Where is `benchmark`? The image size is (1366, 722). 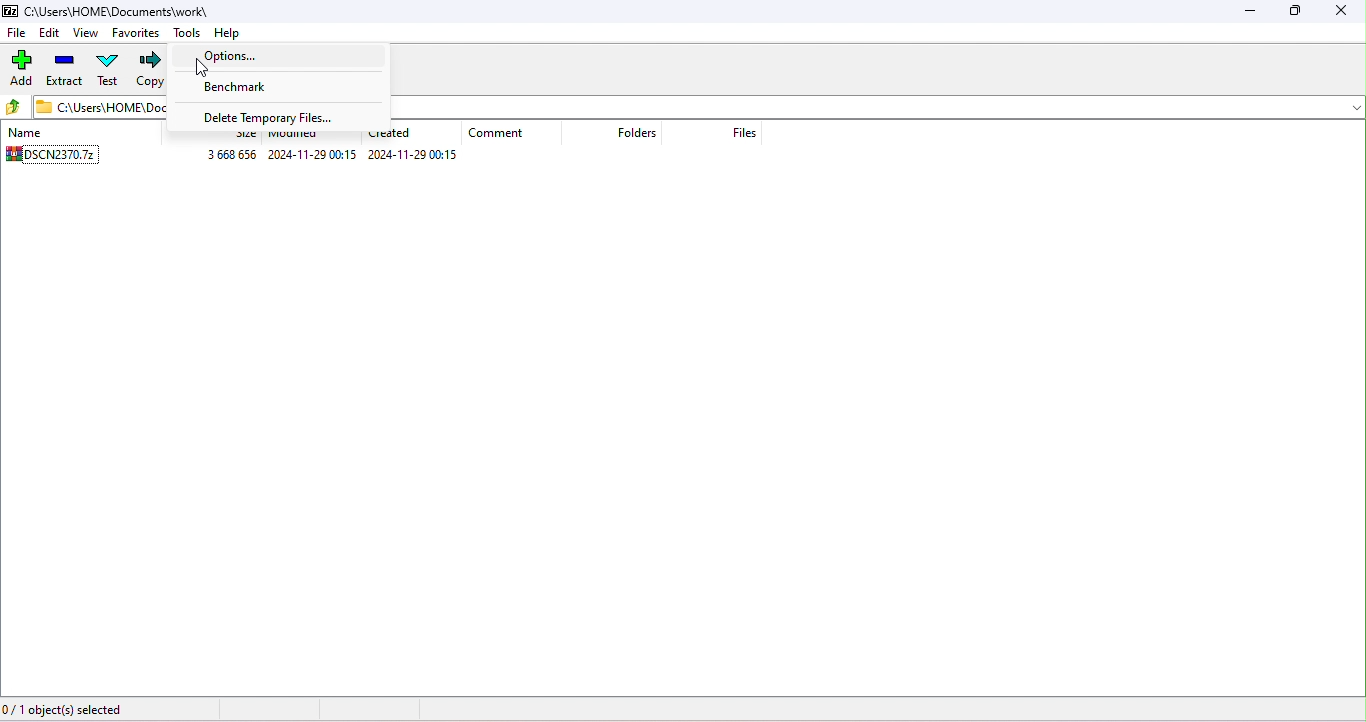 benchmark is located at coordinates (257, 88).